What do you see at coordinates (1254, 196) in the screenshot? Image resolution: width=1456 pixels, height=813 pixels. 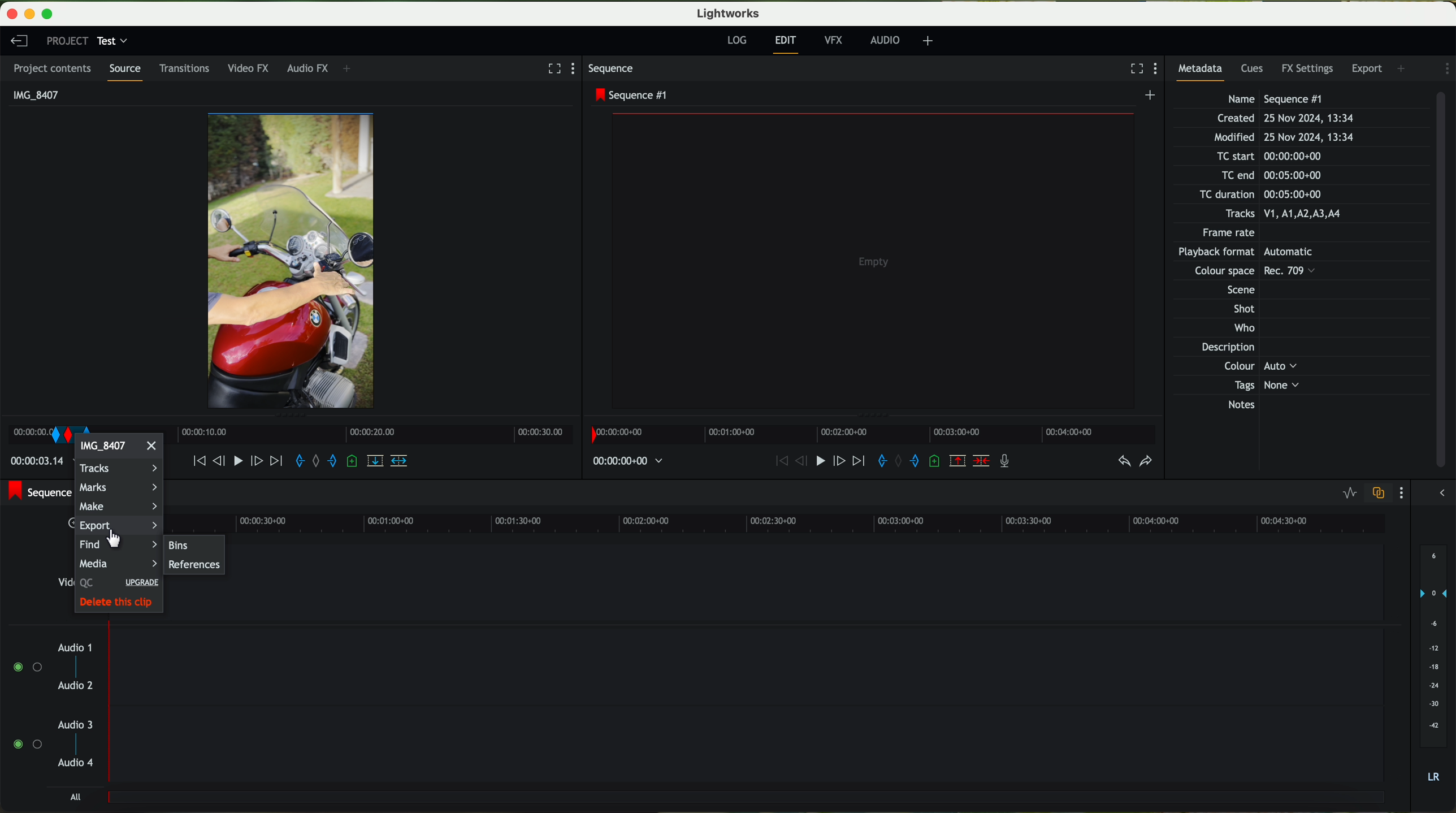 I see `TC duration` at bounding box center [1254, 196].